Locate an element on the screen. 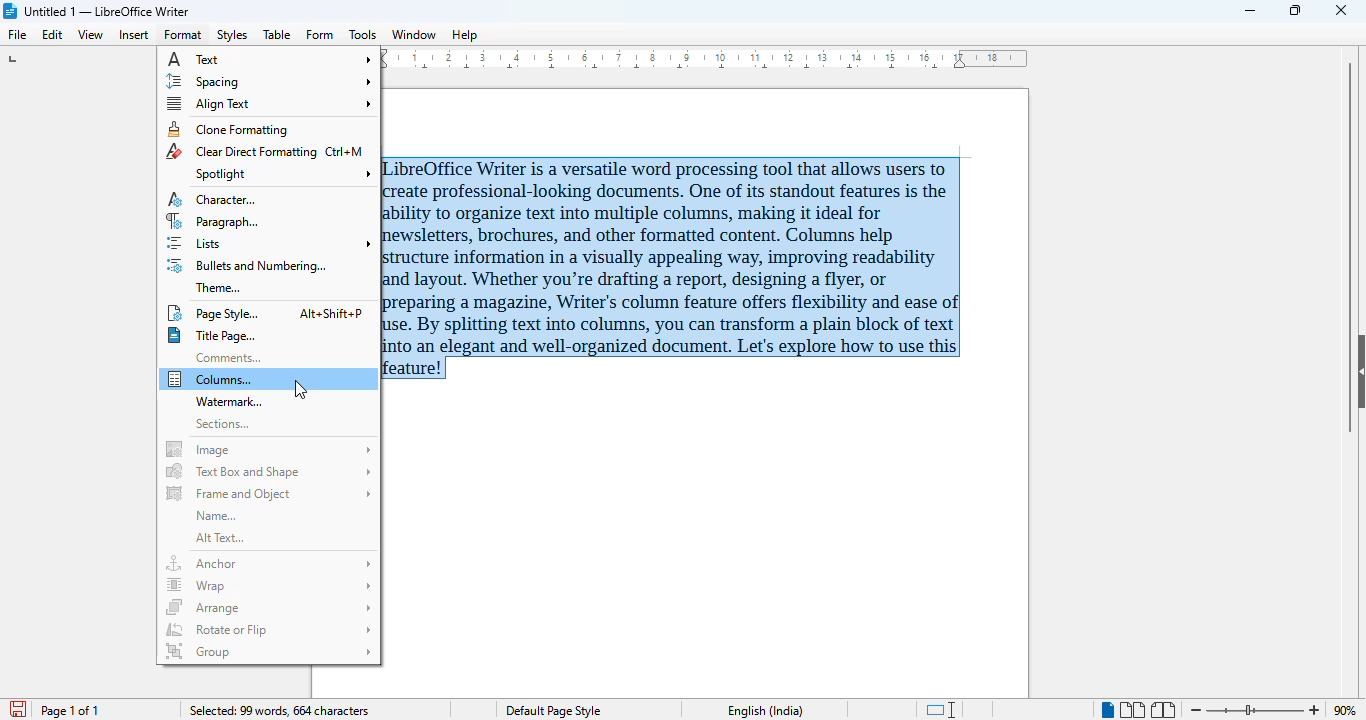 The height and width of the screenshot is (720, 1366). 90% (current zoom level) is located at coordinates (1349, 708).